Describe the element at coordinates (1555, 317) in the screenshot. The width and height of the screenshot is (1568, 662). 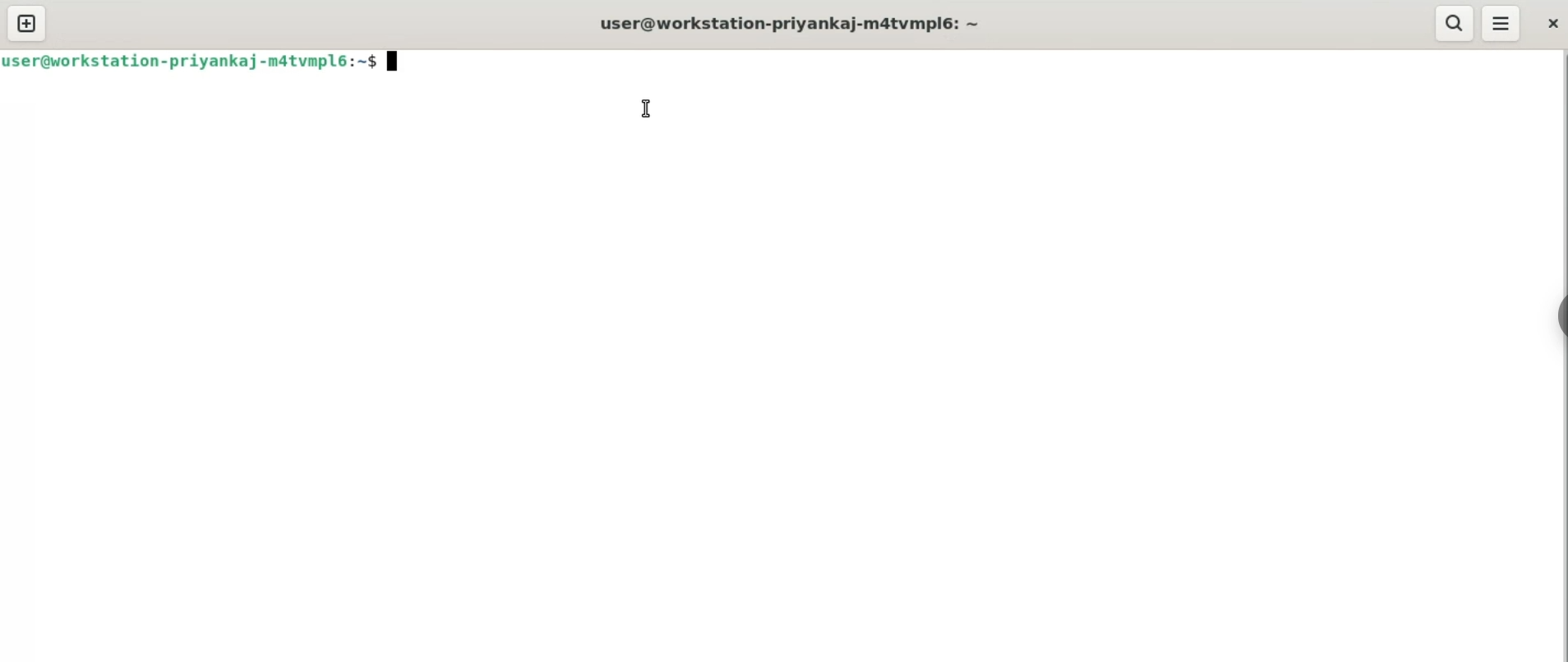
I see `sidebar` at that location.